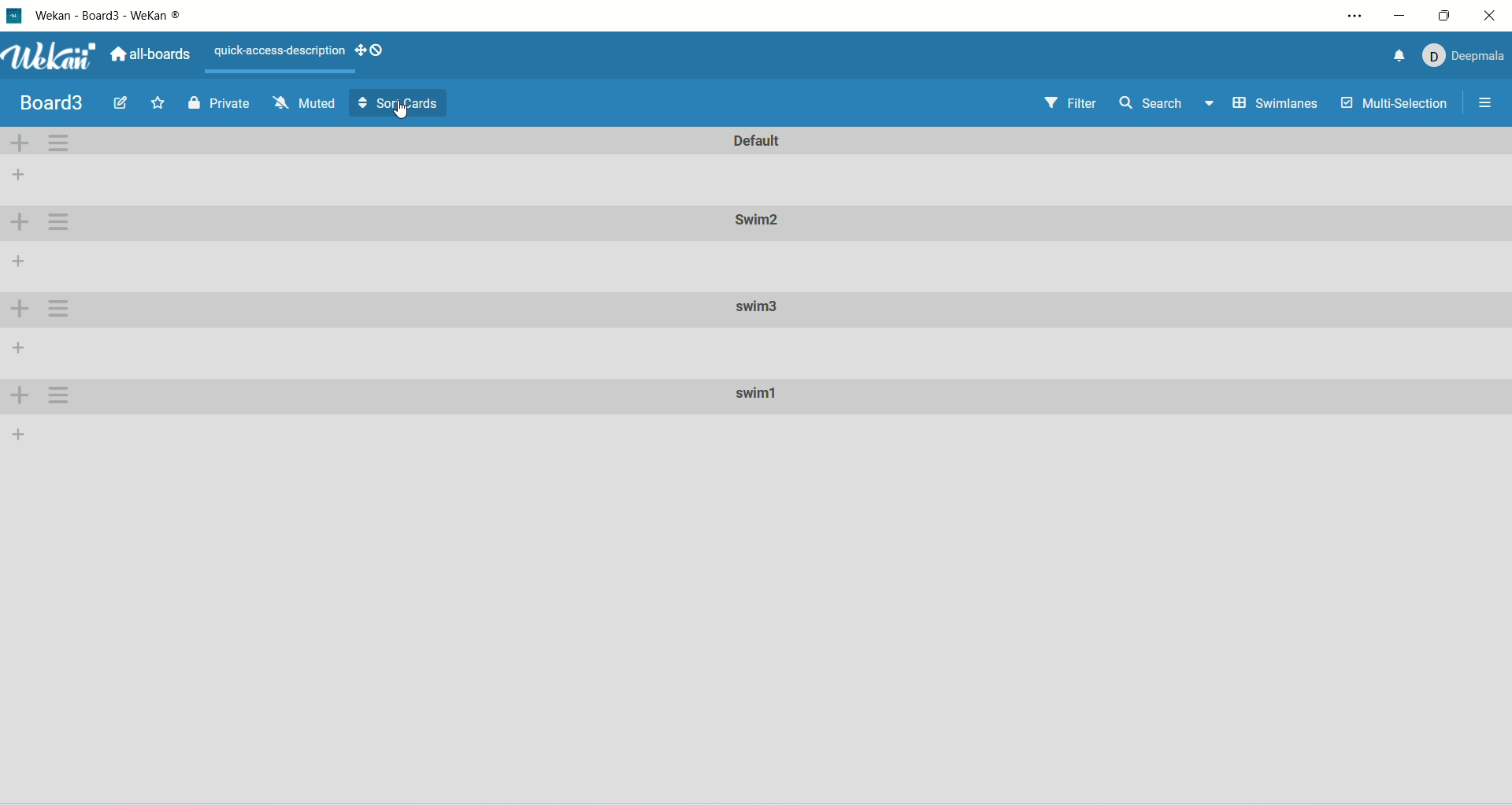 Image resolution: width=1512 pixels, height=805 pixels. What do you see at coordinates (154, 55) in the screenshot?
I see `all boards` at bounding box center [154, 55].